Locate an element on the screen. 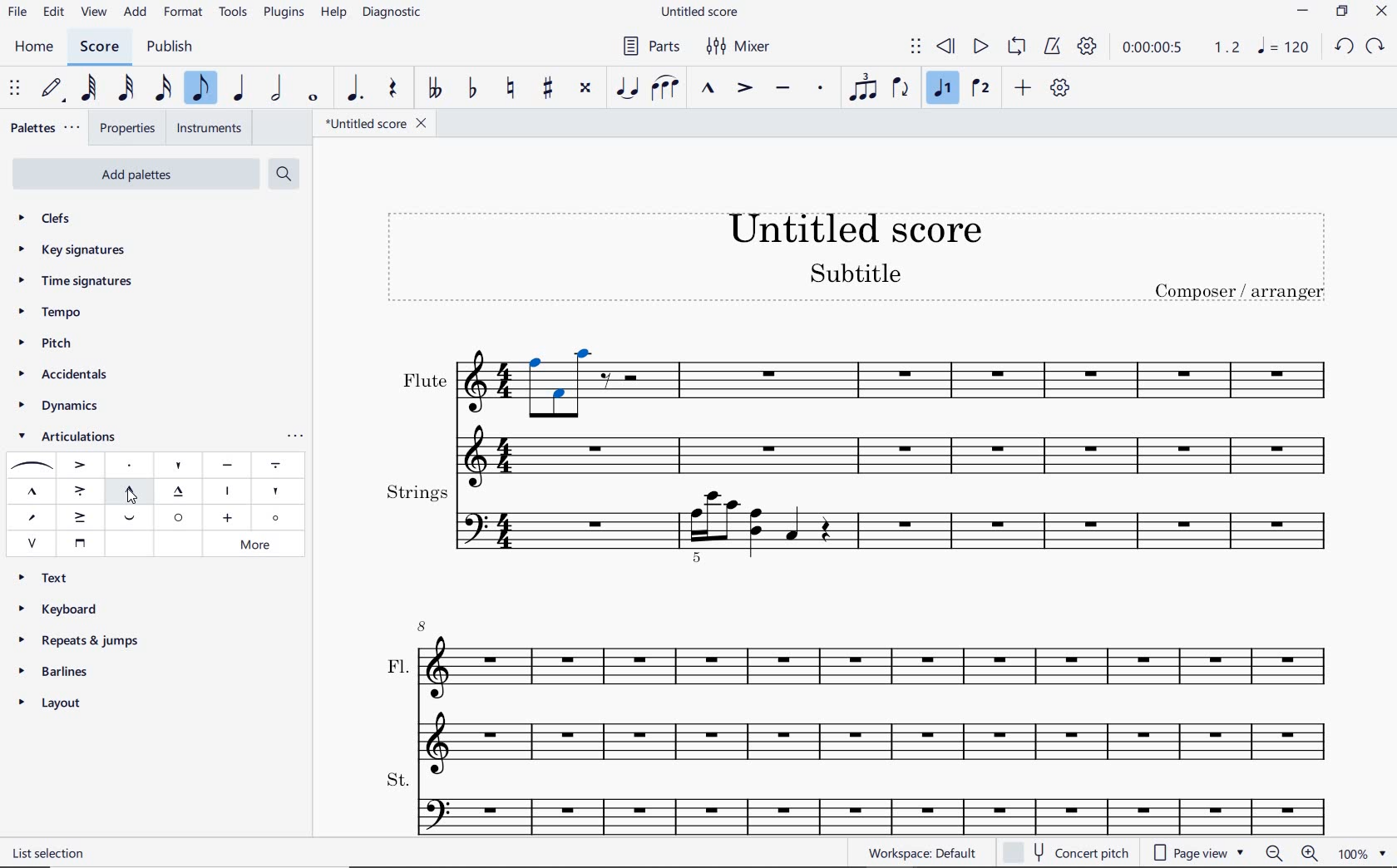 Image resolution: width=1397 pixels, height=868 pixels. file name is located at coordinates (702, 11).